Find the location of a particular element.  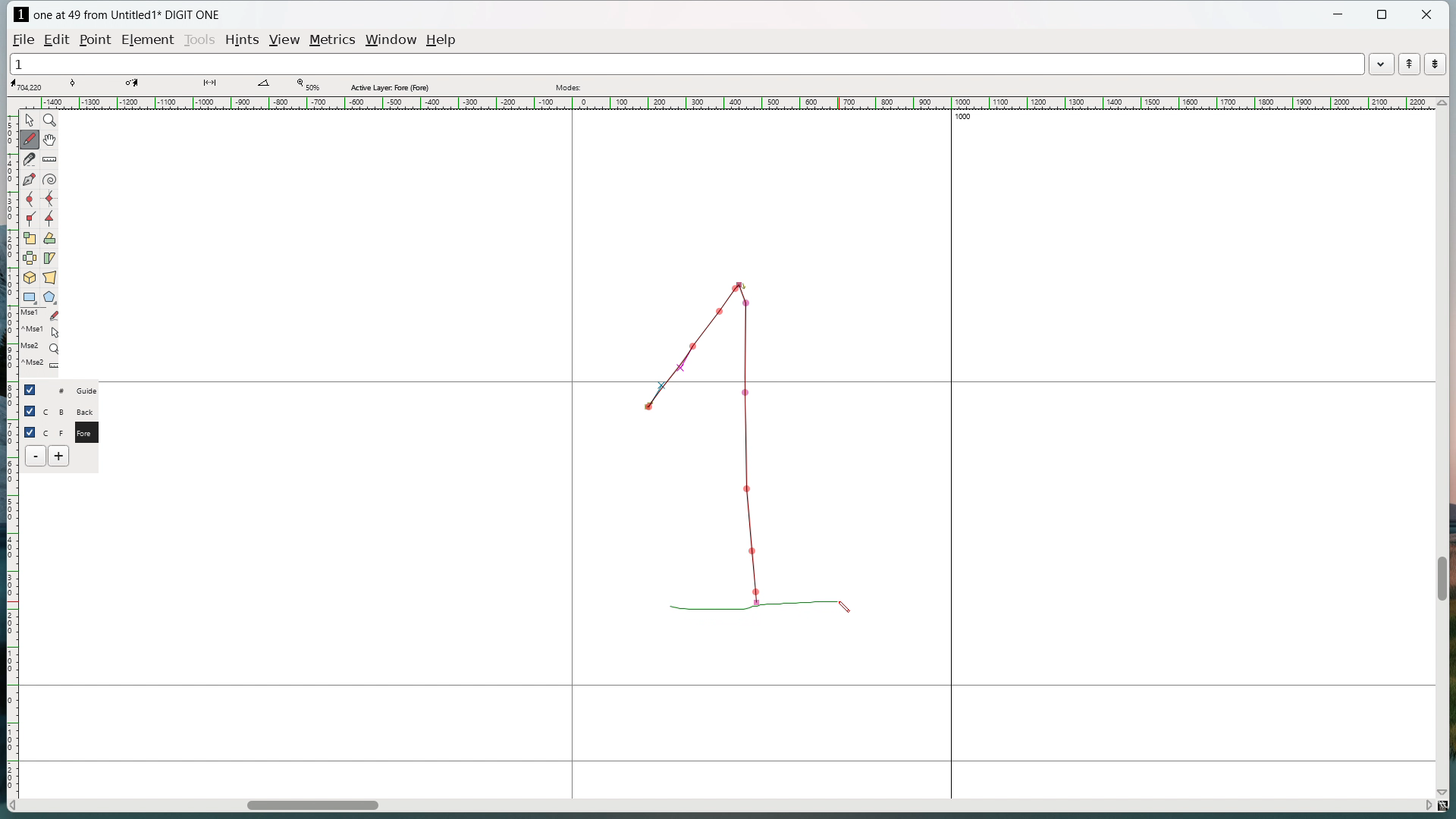

coordinate of destination is located at coordinates (146, 85).